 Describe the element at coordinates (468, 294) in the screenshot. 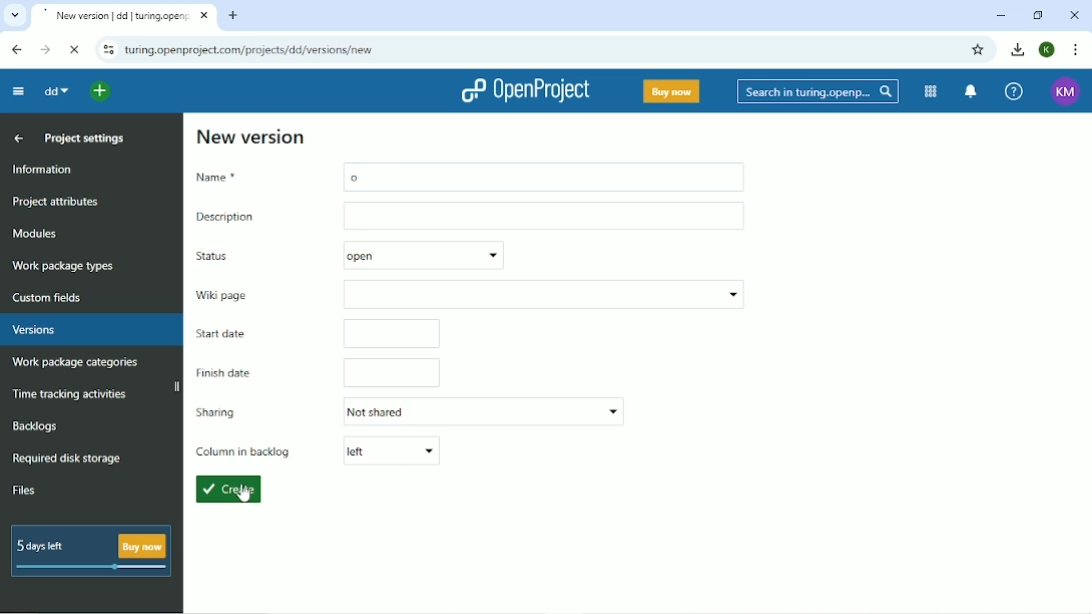

I see `Wiki page` at that location.